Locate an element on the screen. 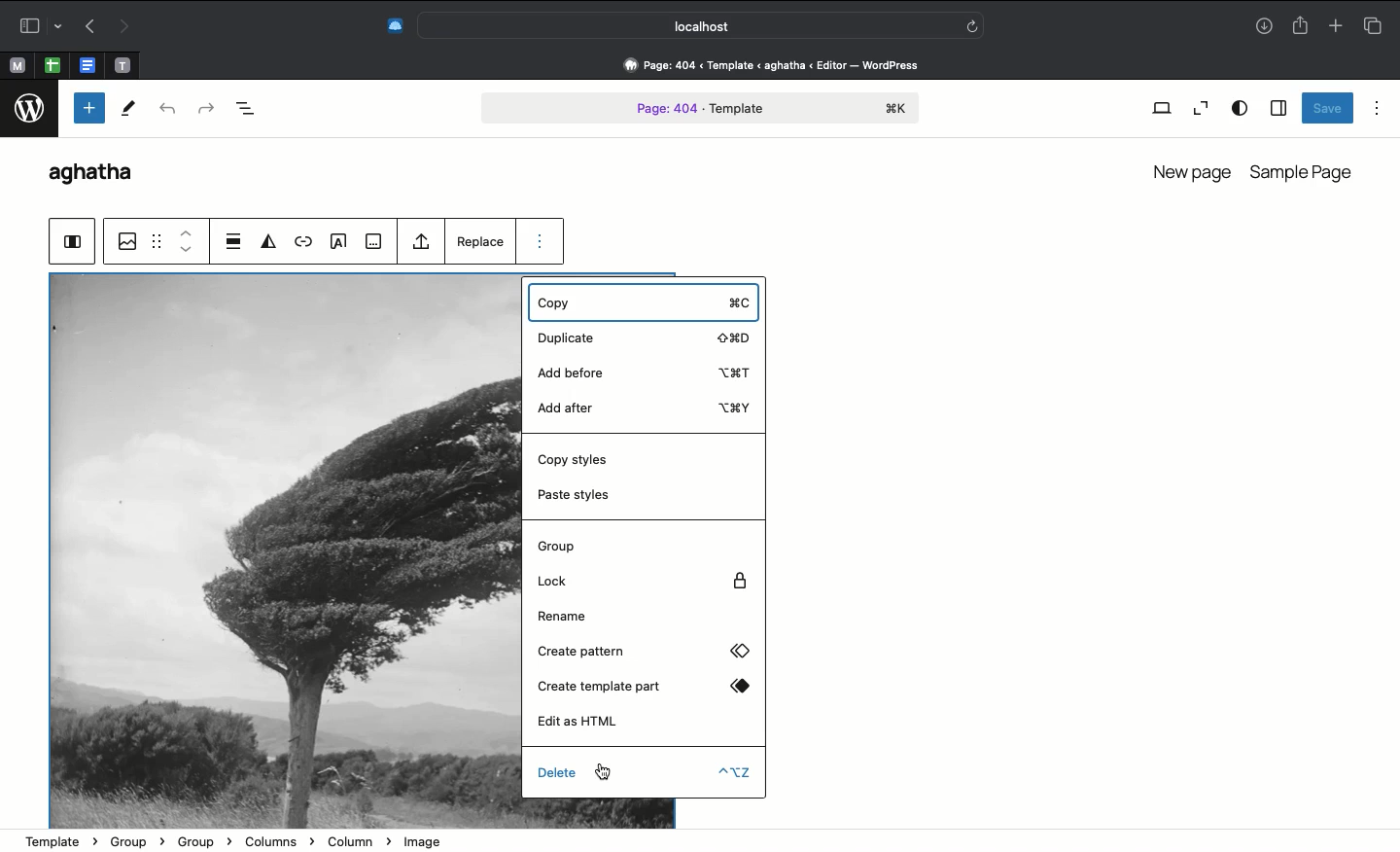 This screenshot has height=852, width=1400. Lock is located at coordinates (646, 582).